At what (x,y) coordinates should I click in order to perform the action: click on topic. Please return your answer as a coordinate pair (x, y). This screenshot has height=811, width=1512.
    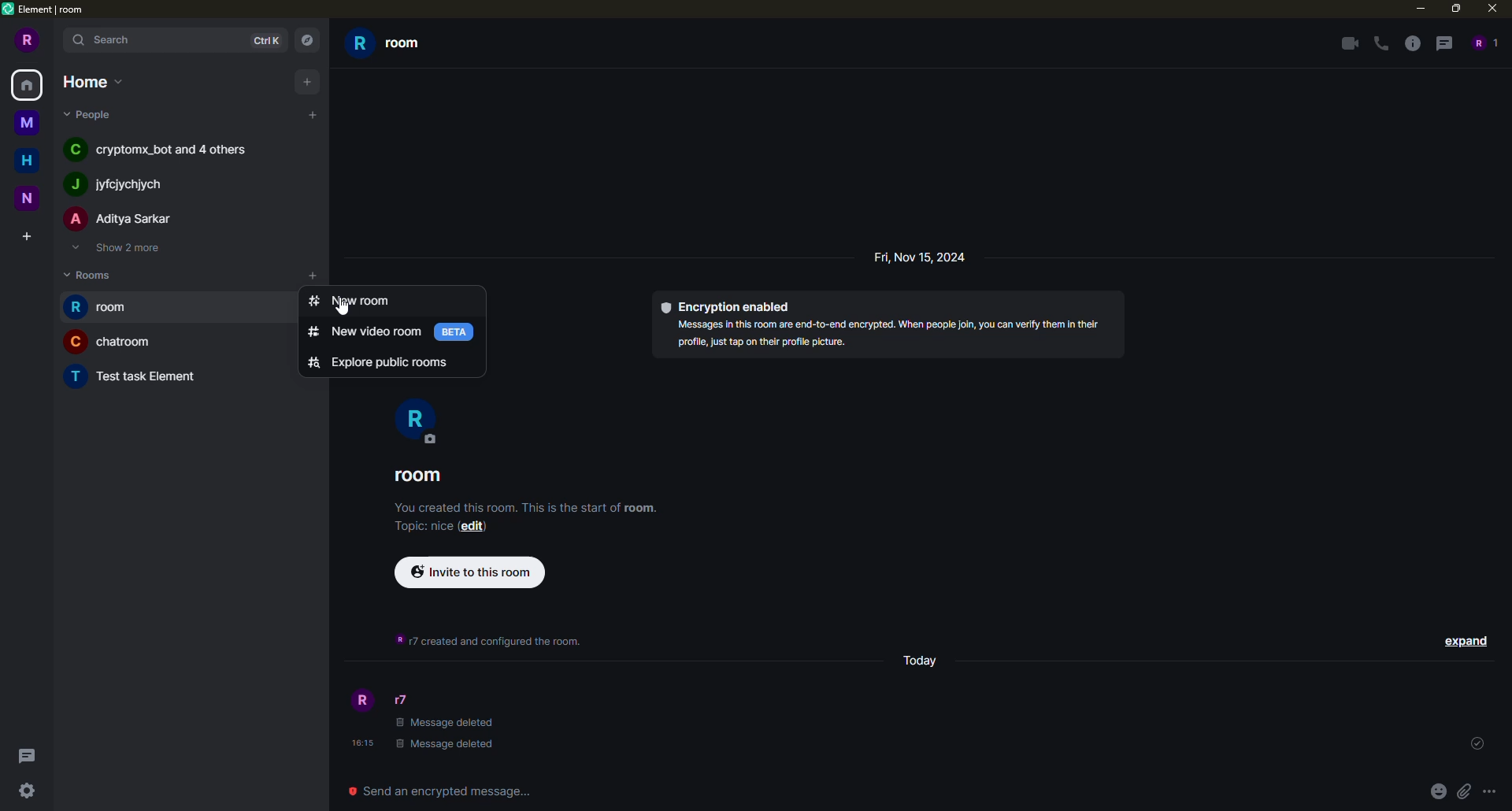
    Looking at the image, I should click on (425, 526).